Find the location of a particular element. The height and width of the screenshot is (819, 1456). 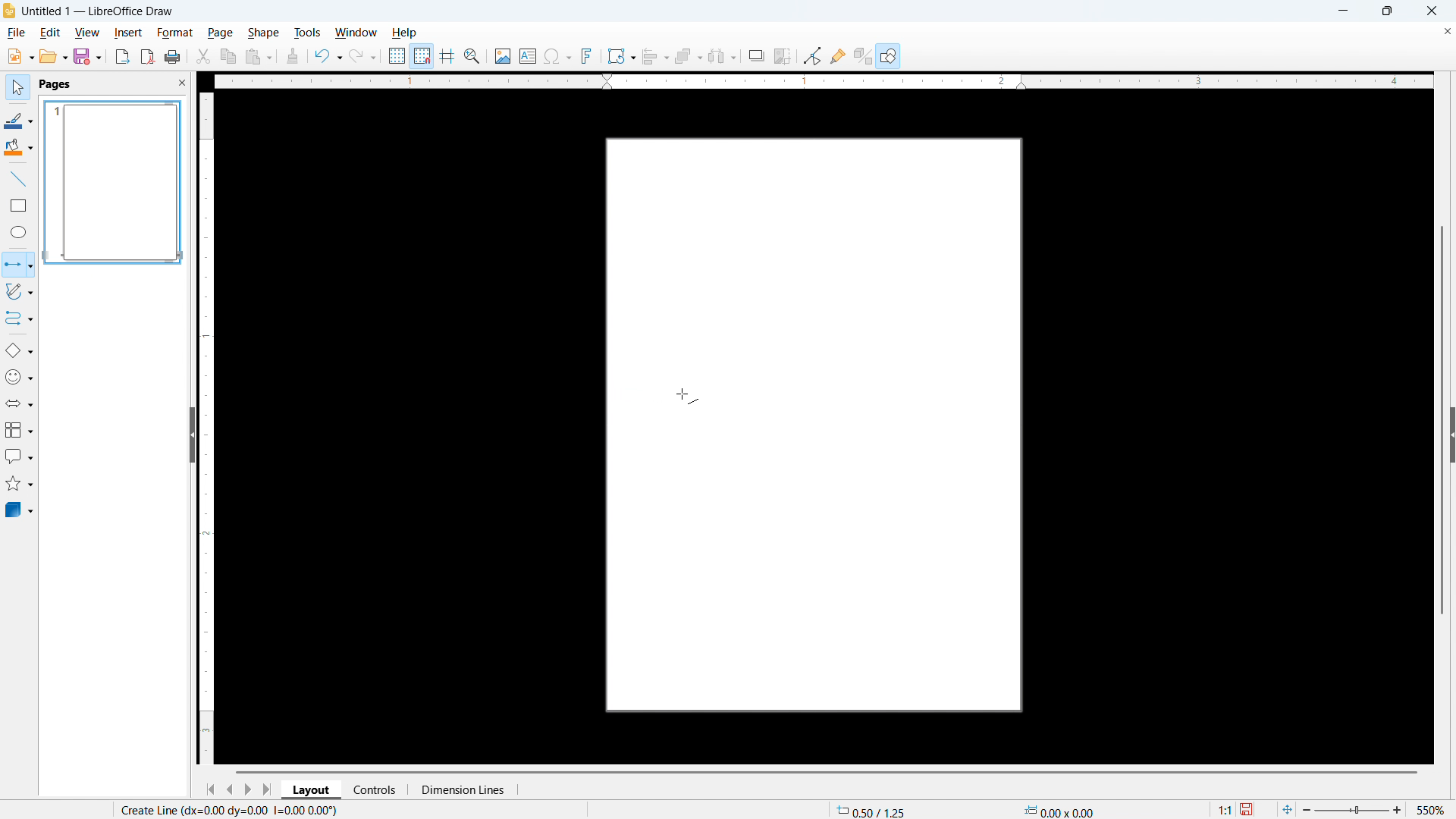

Redo  is located at coordinates (362, 57).